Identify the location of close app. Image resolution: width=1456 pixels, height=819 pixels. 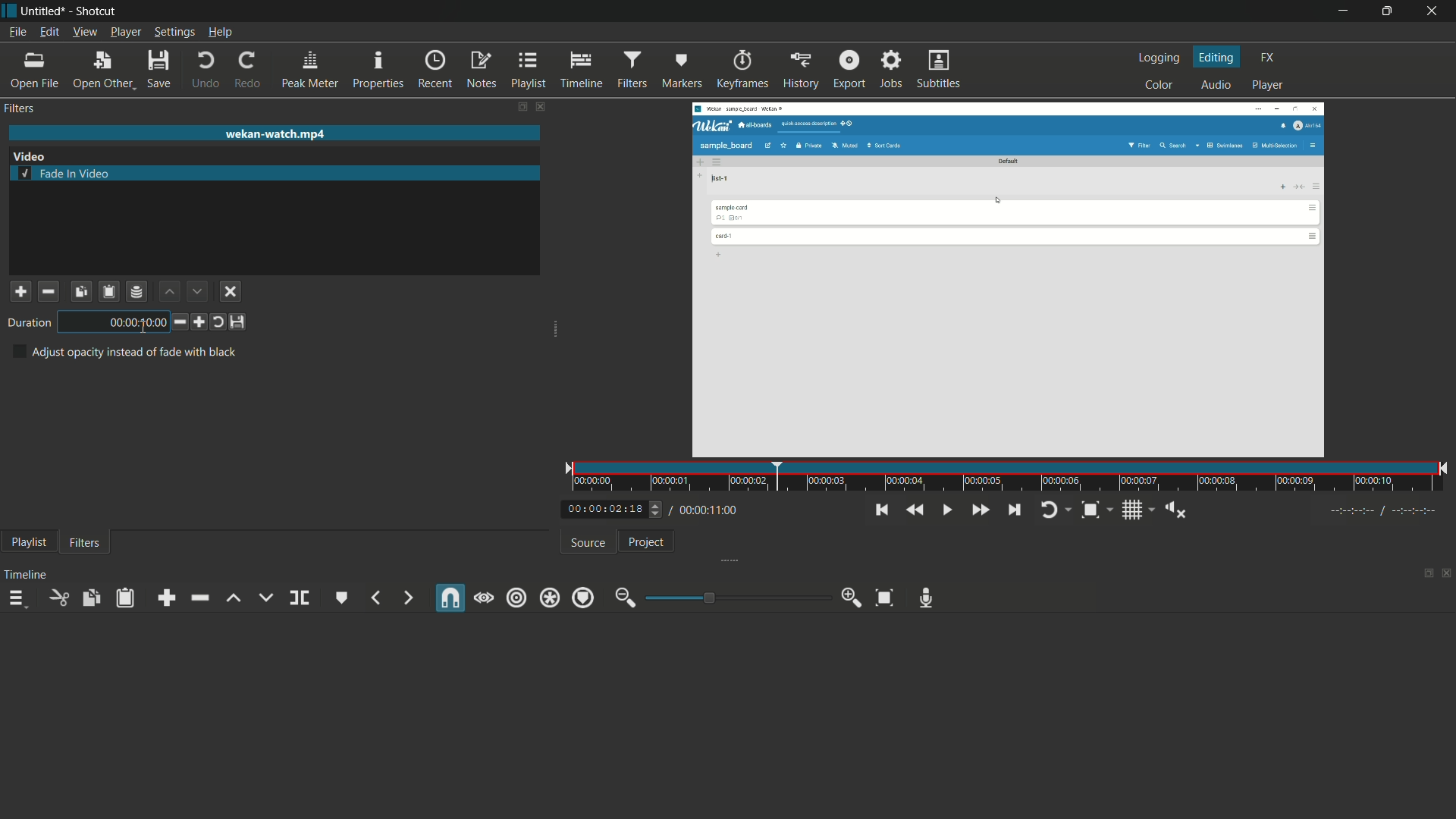
(1434, 12).